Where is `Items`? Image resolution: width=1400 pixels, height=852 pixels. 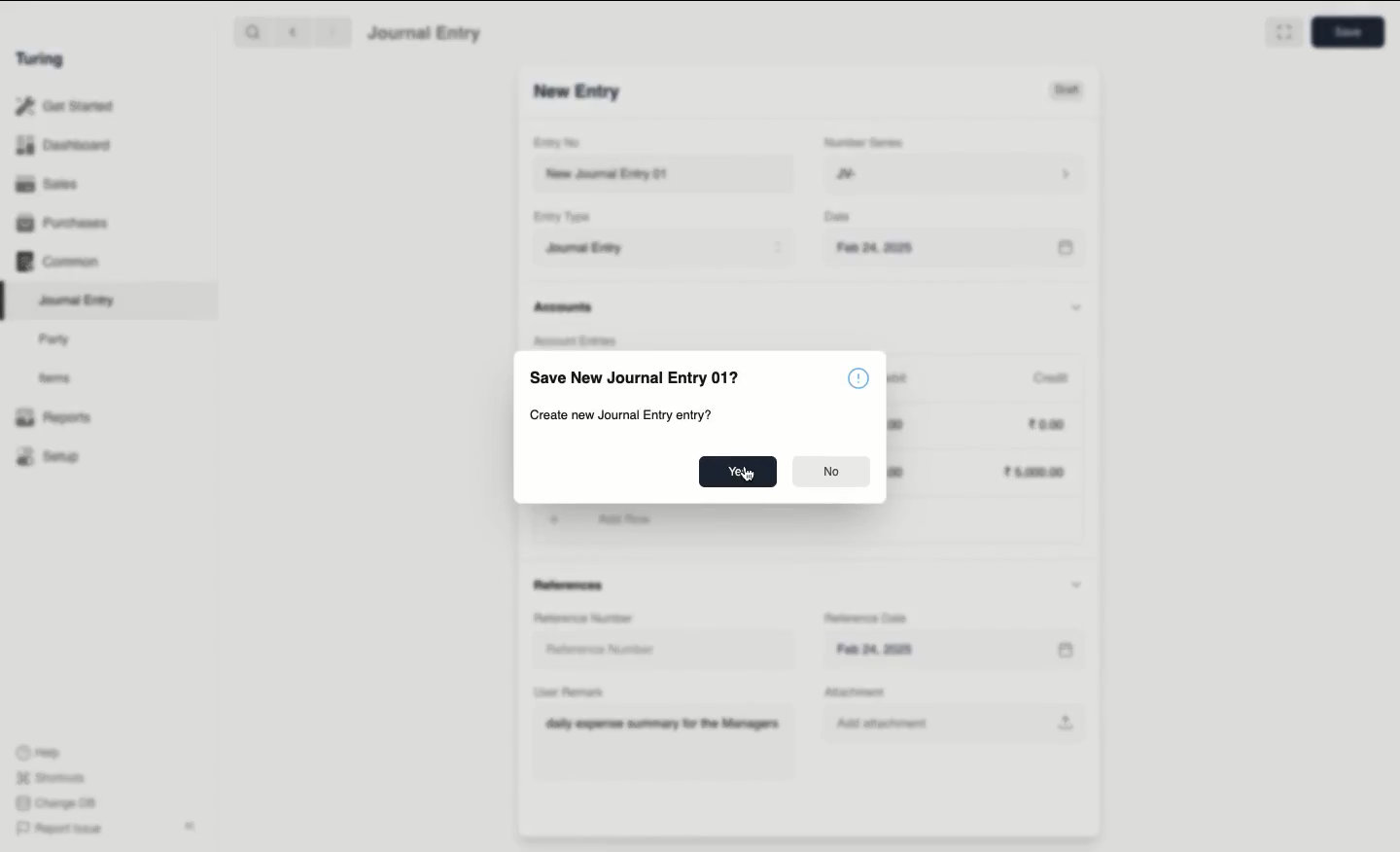 Items is located at coordinates (55, 377).